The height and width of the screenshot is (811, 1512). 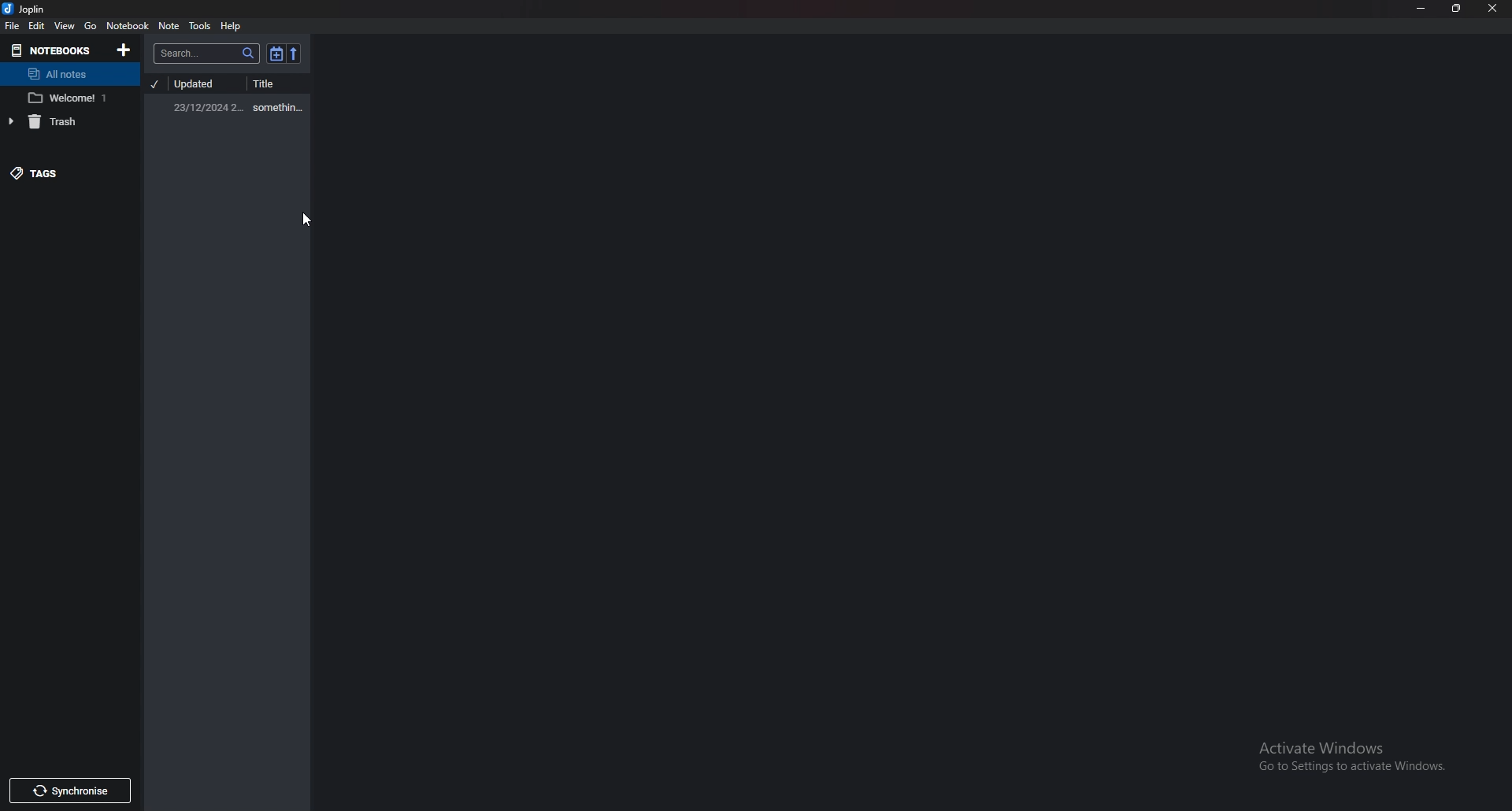 I want to click on Tools, so click(x=201, y=26).